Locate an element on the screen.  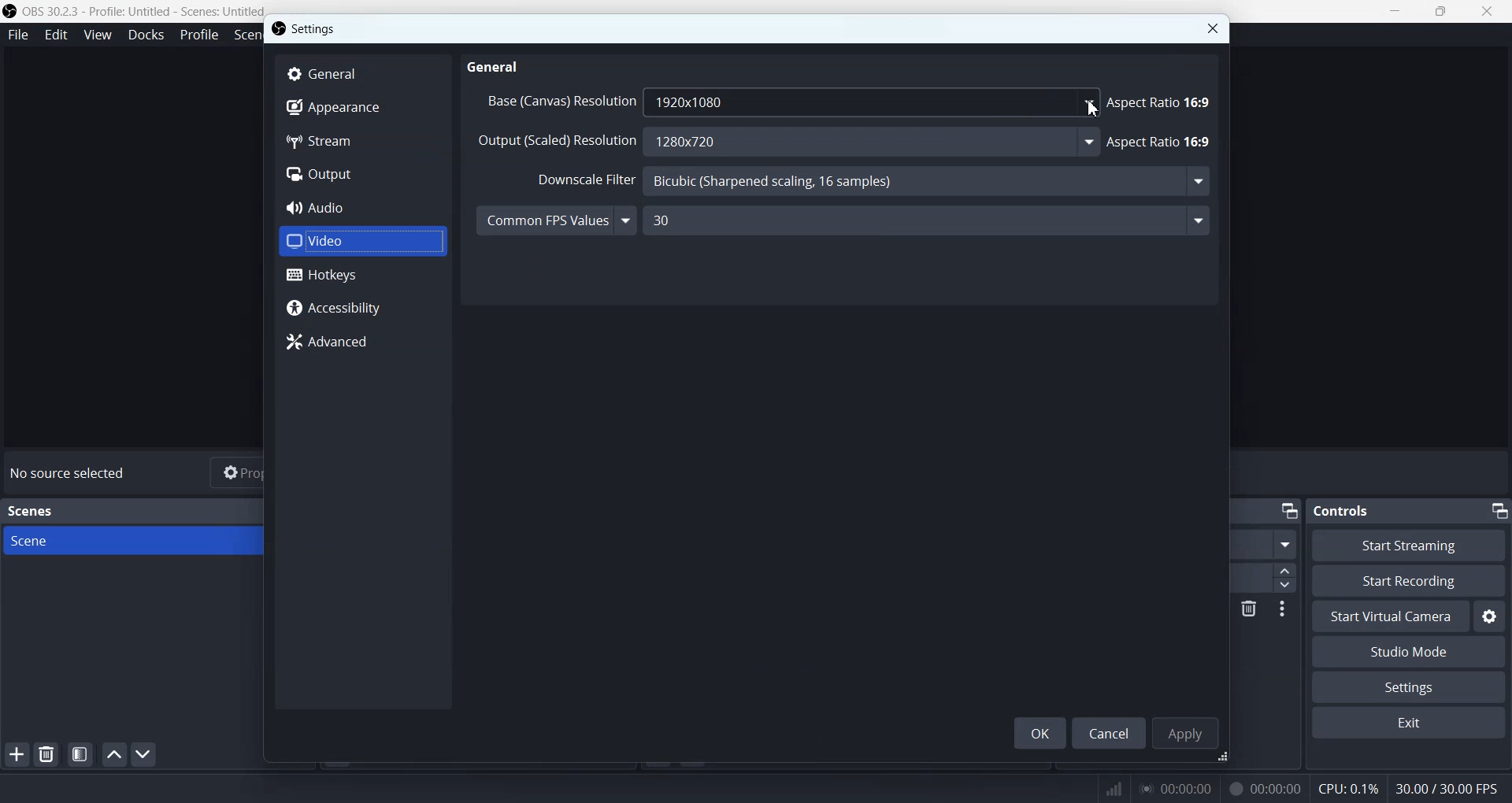
Settings is located at coordinates (1491, 618).